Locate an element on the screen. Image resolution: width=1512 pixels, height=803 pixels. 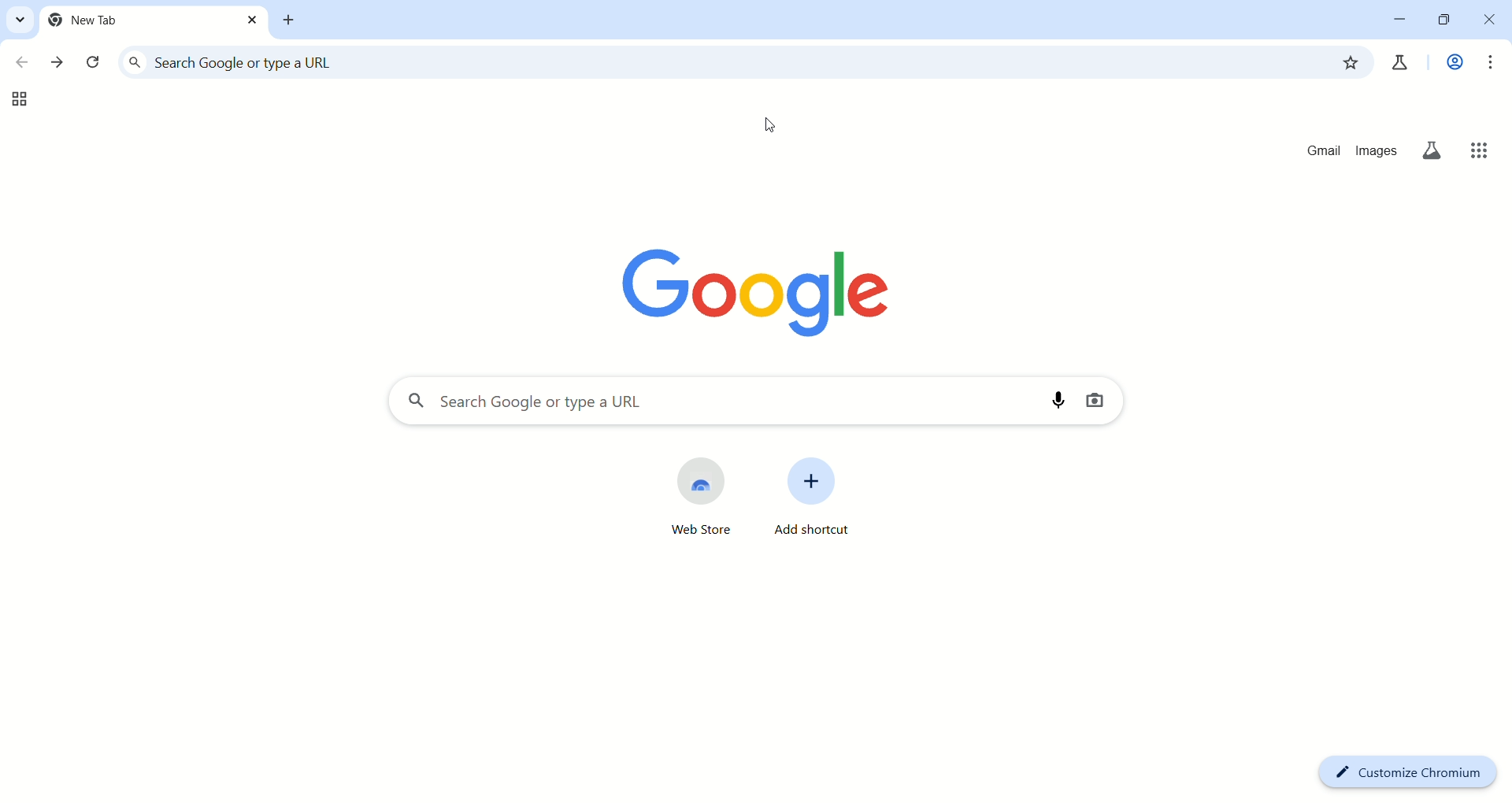
chrome lab is located at coordinates (1398, 66).